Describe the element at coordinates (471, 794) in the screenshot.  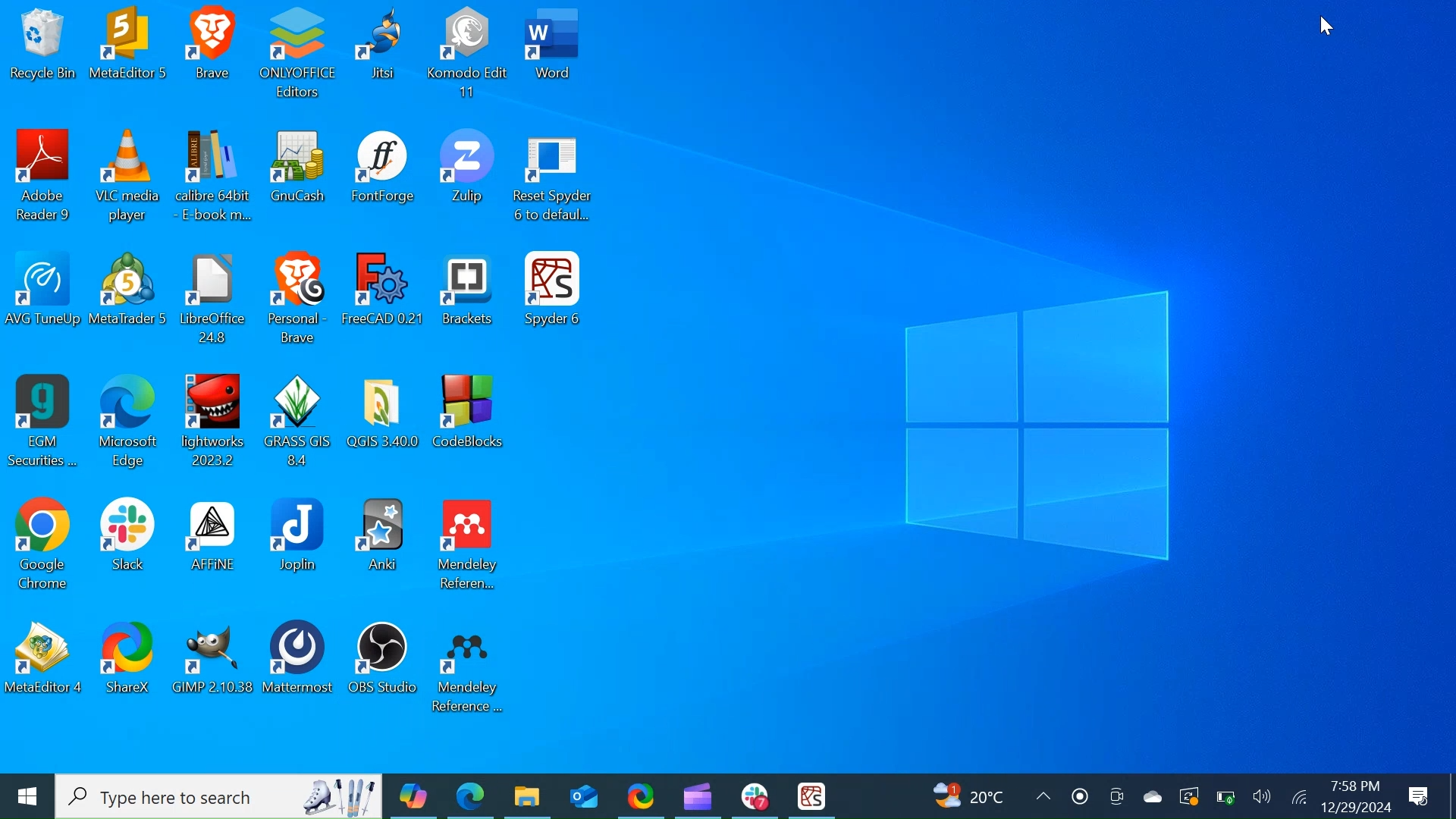
I see `Microsoft Edge` at that location.